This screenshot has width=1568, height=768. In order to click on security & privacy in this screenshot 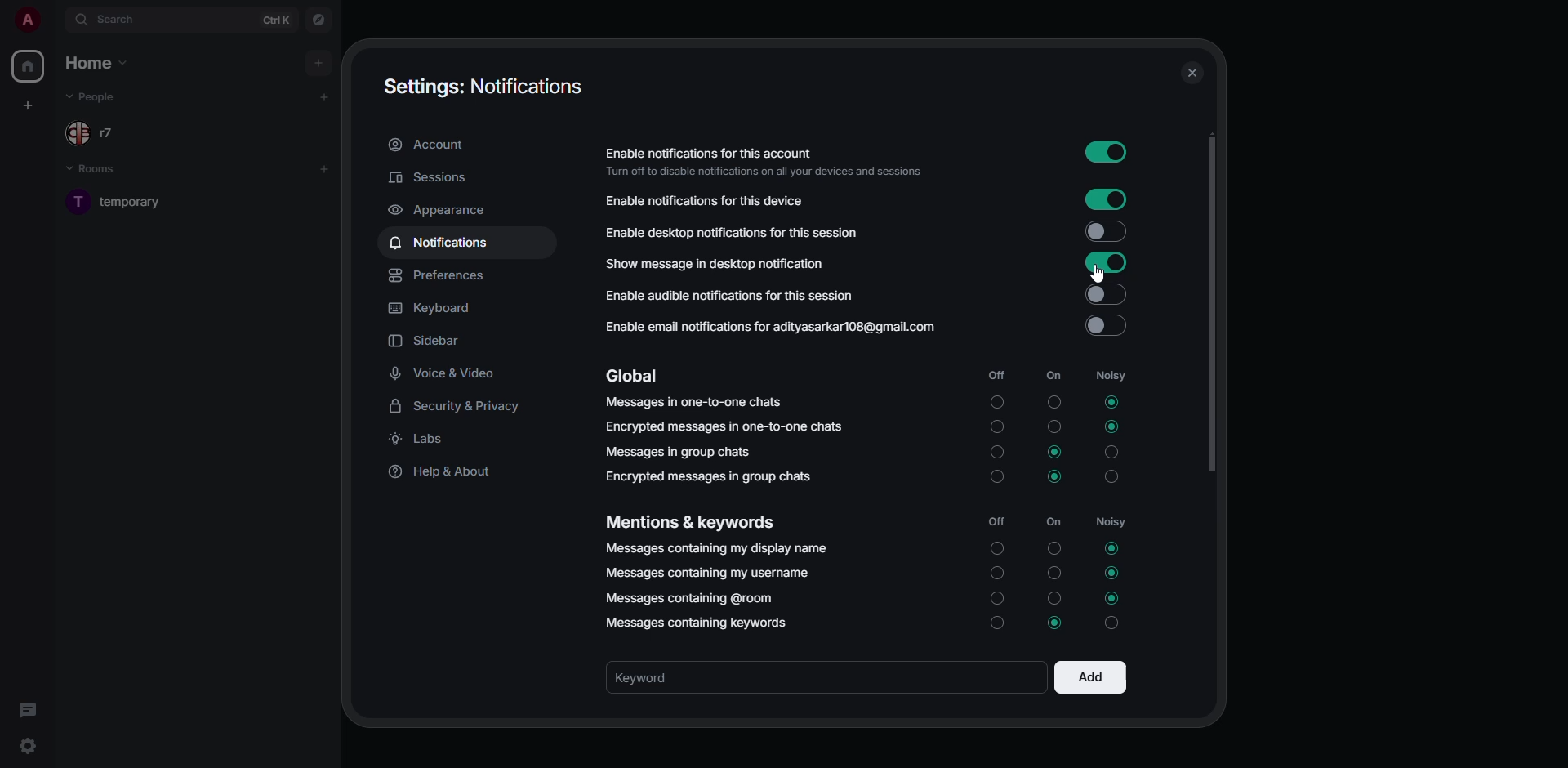, I will do `click(461, 406)`.